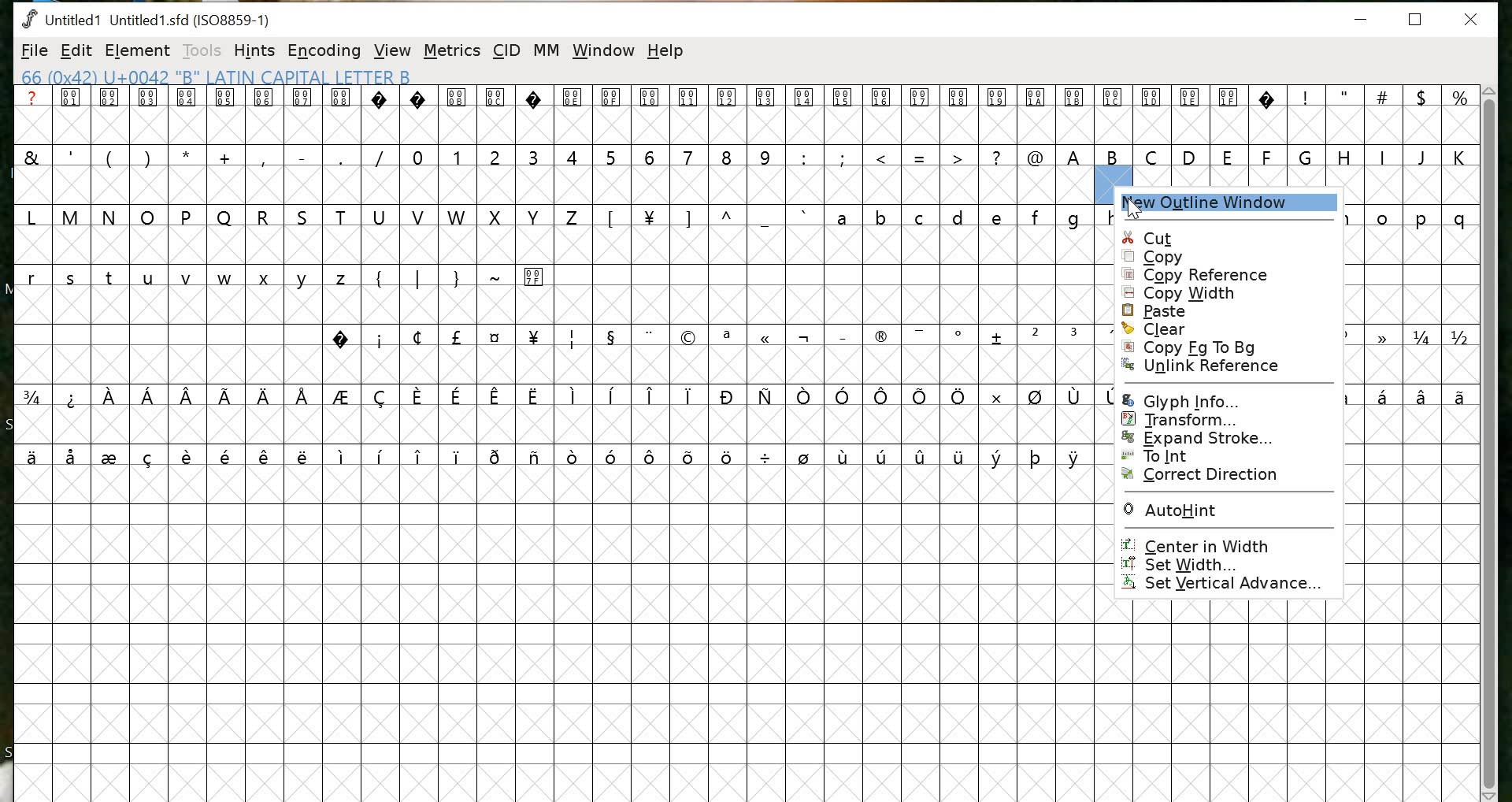 This screenshot has width=1512, height=802. What do you see at coordinates (1229, 348) in the screenshot?
I see `copy fg to bg` at bounding box center [1229, 348].